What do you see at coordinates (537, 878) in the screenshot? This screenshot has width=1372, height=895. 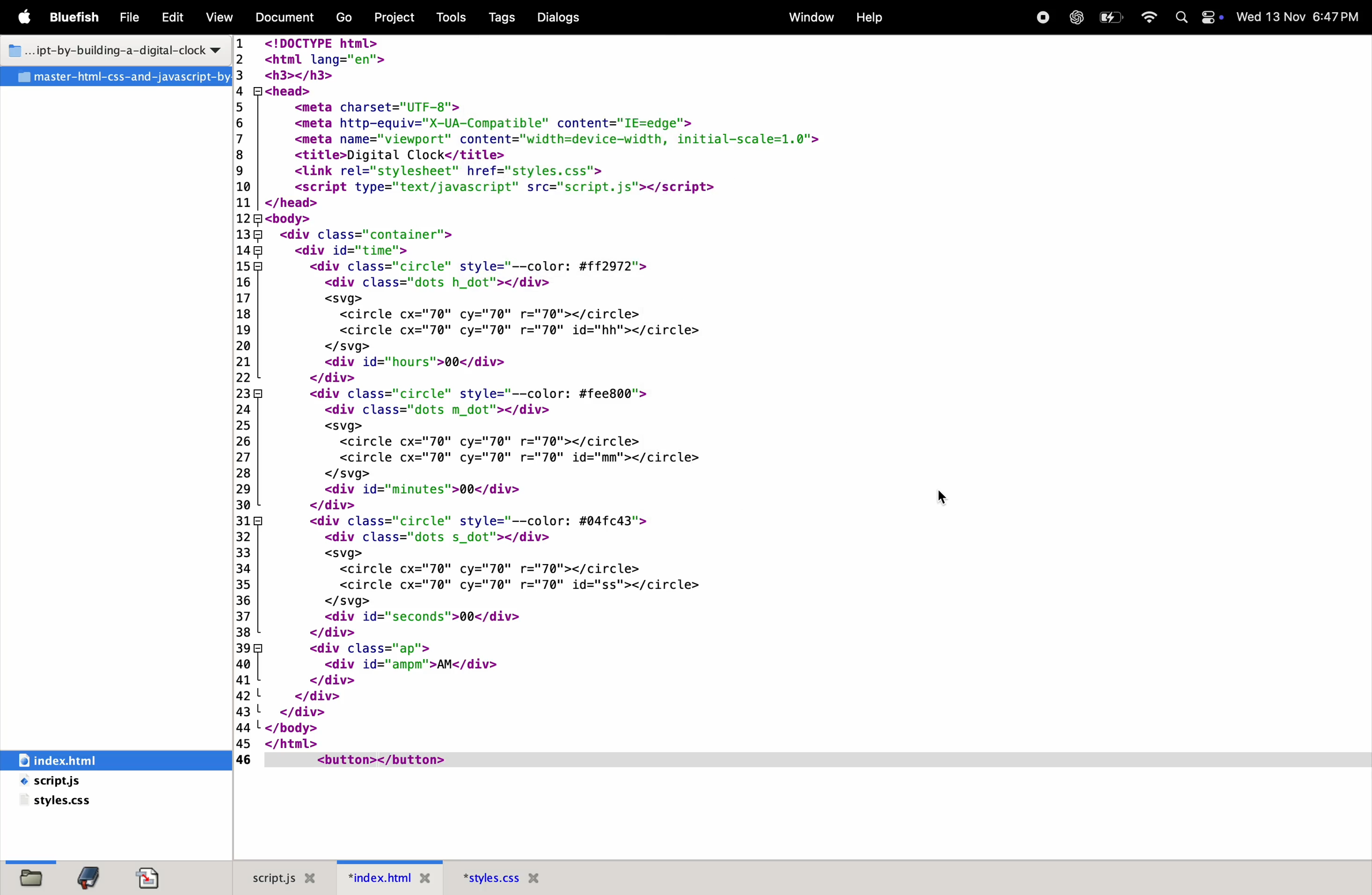 I see `Close file` at bounding box center [537, 878].